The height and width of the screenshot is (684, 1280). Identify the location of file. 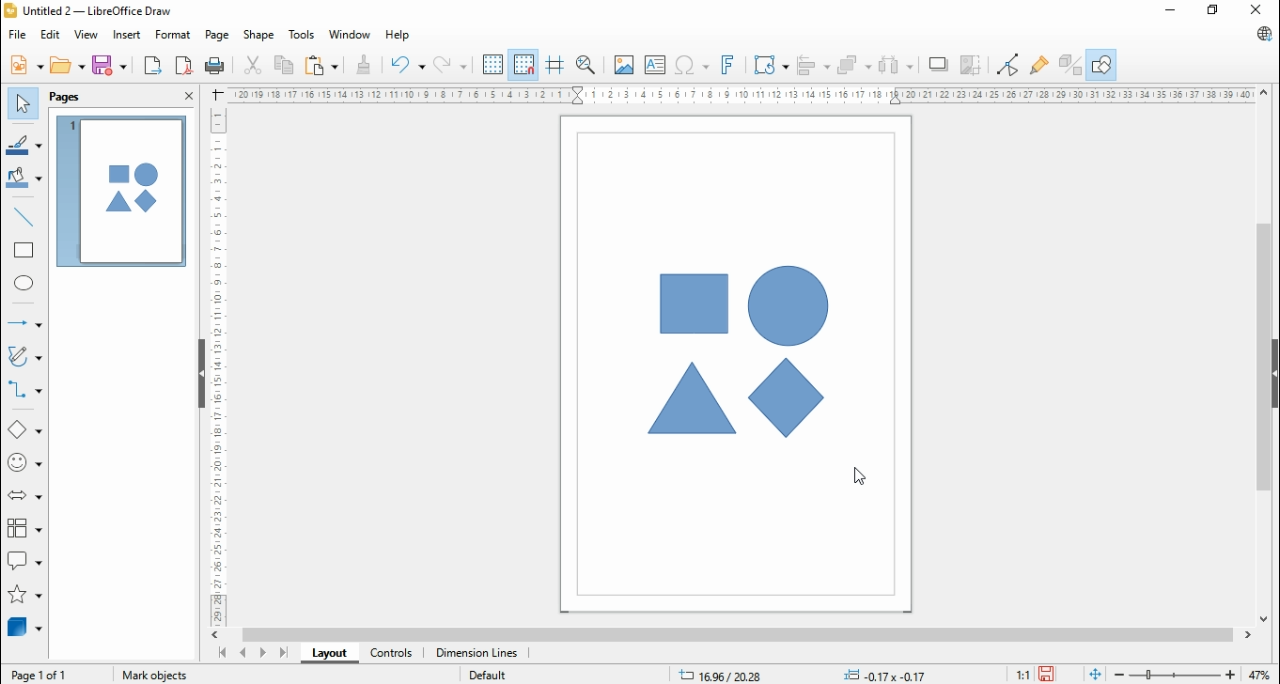
(18, 34).